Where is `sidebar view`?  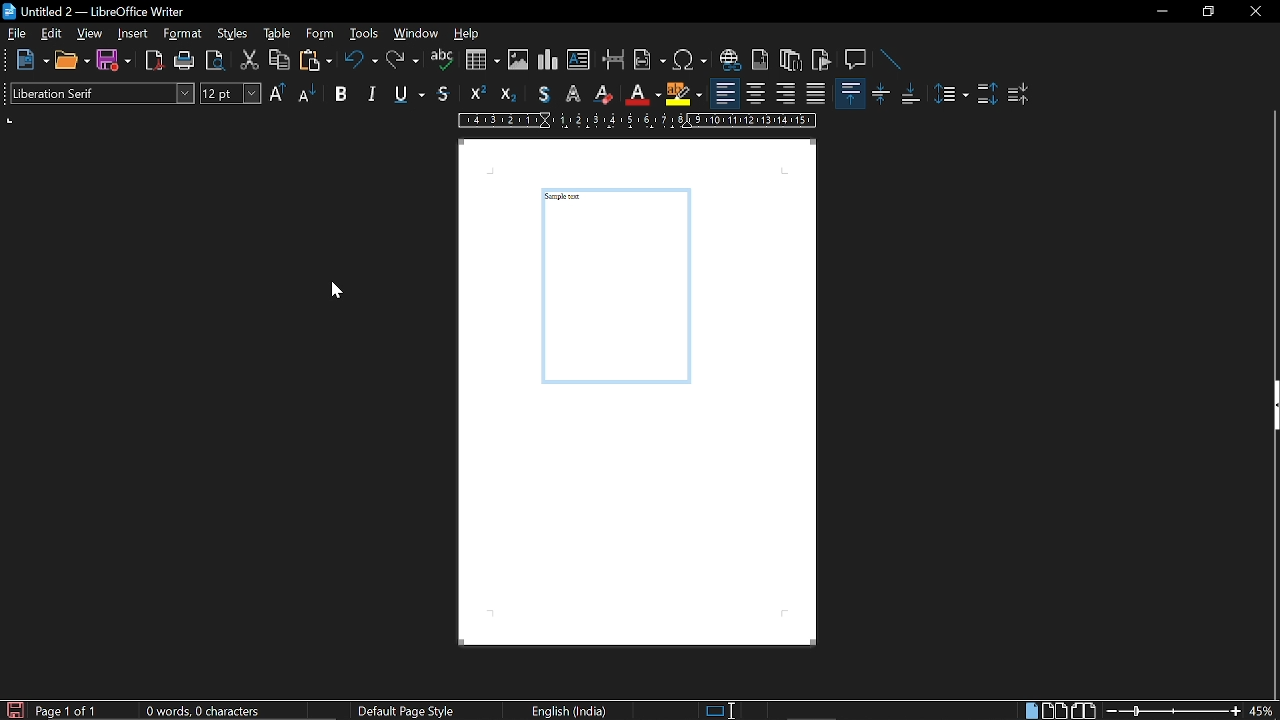 sidebar view is located at coordinates (1272, 408).